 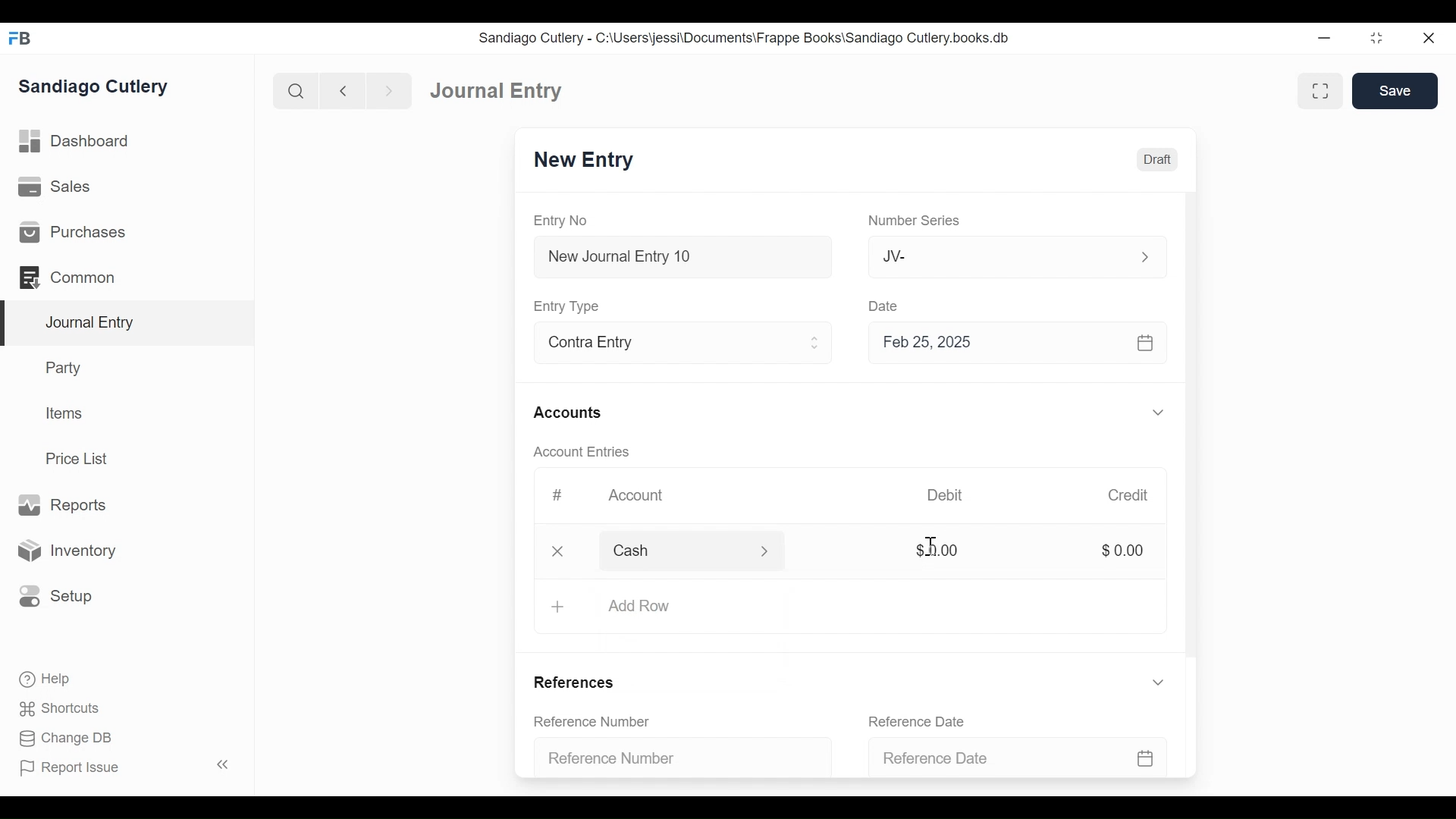 I want to click on Frappe Books Desktop icon, so click(x=19, y=38).